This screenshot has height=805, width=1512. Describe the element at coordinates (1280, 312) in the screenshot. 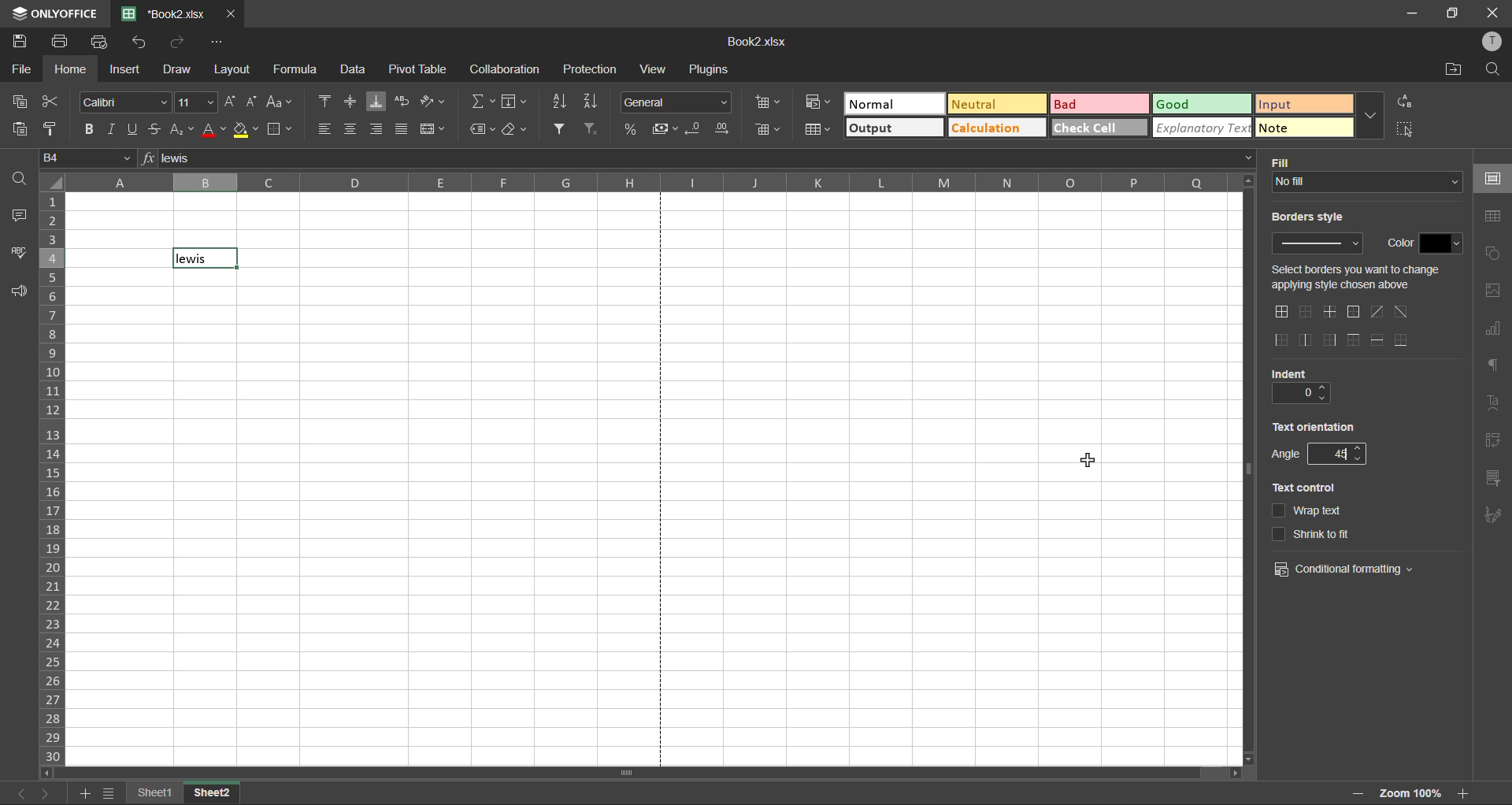

I see `all borders` at that location.